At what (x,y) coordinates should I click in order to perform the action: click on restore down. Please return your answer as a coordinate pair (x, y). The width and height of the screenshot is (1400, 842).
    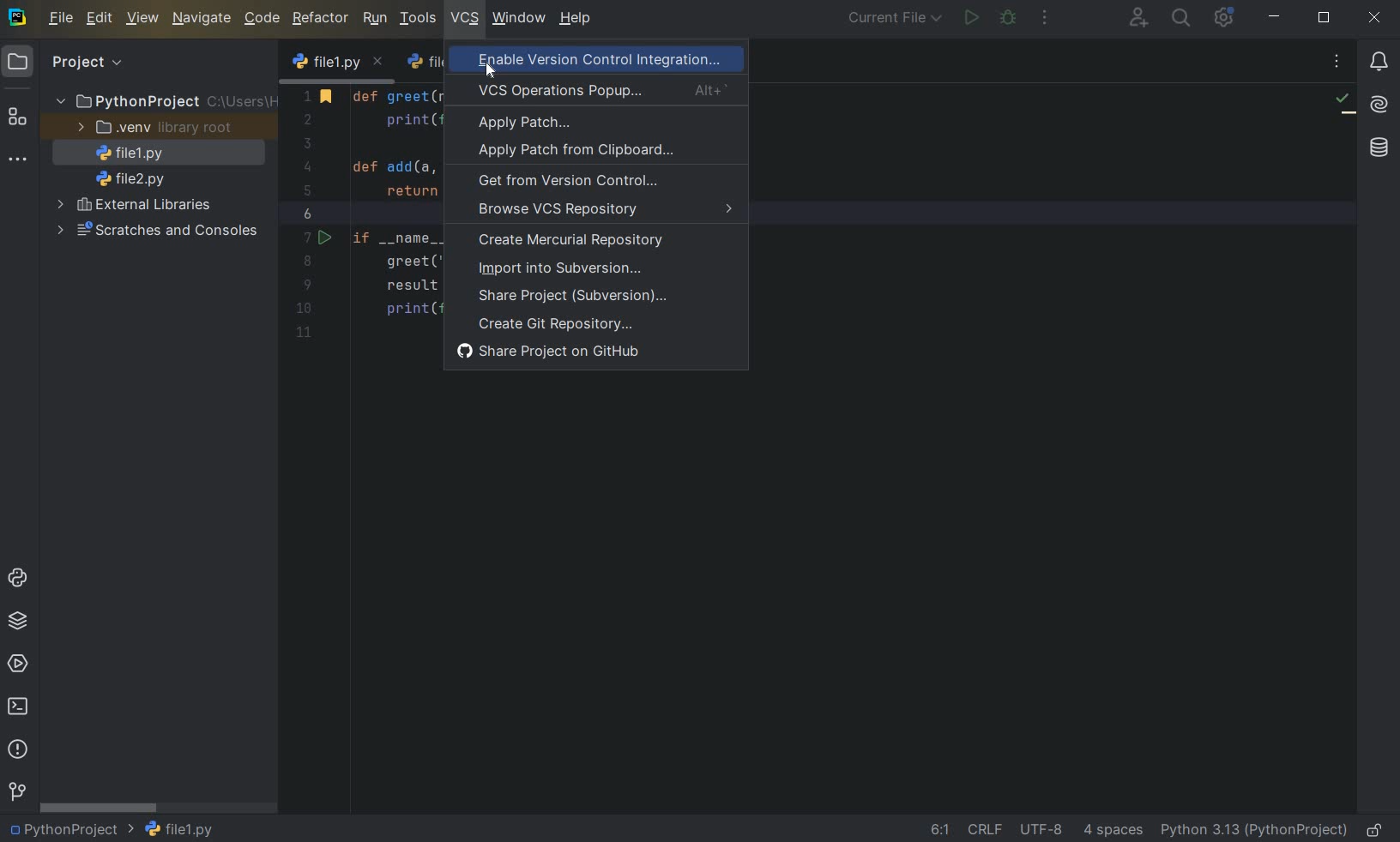
    Looking at the image, I should click on (1325, 18).